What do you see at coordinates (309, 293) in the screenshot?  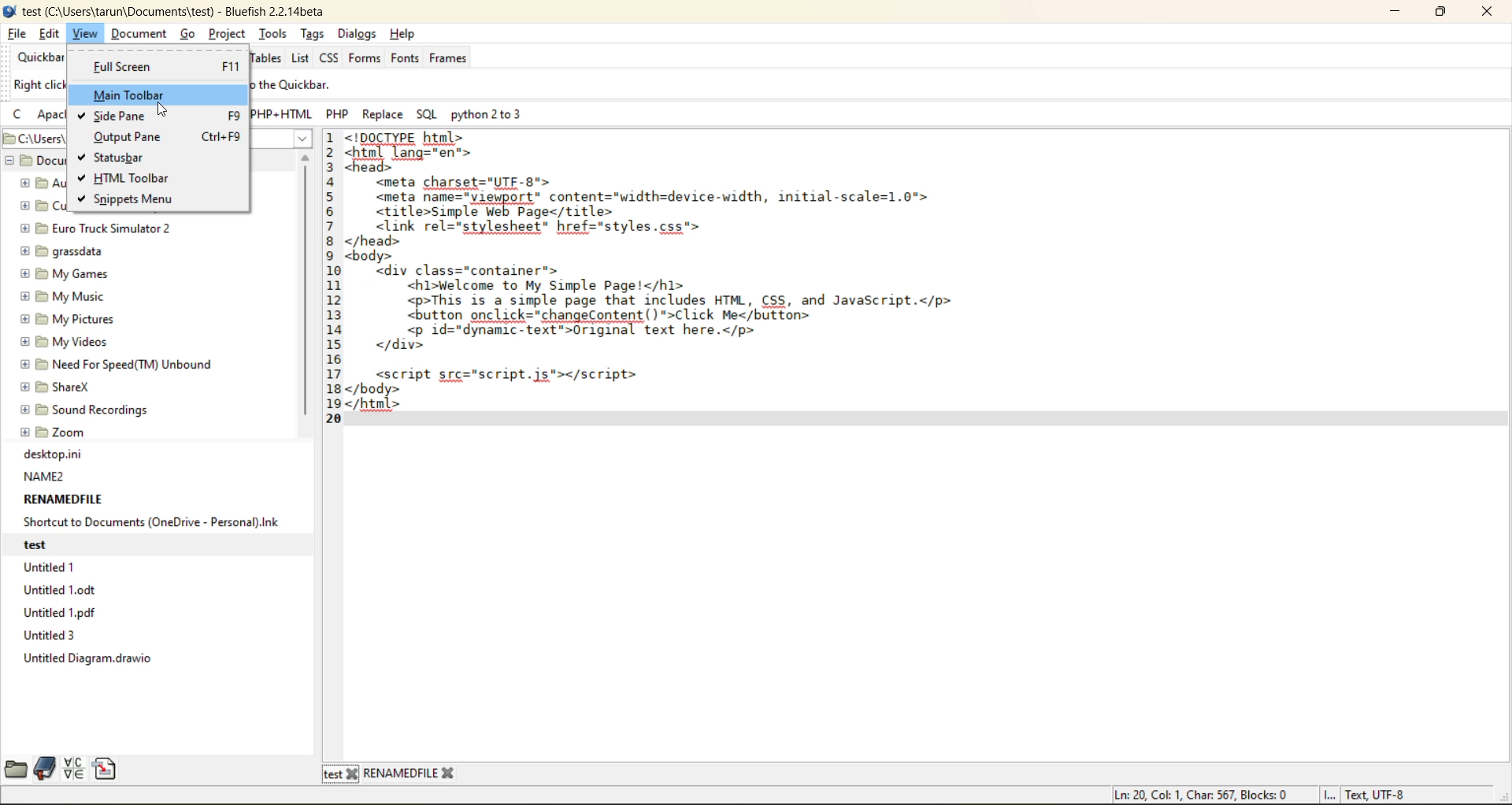 I see `vertical scroll bar` at bounding box center [309, 293].